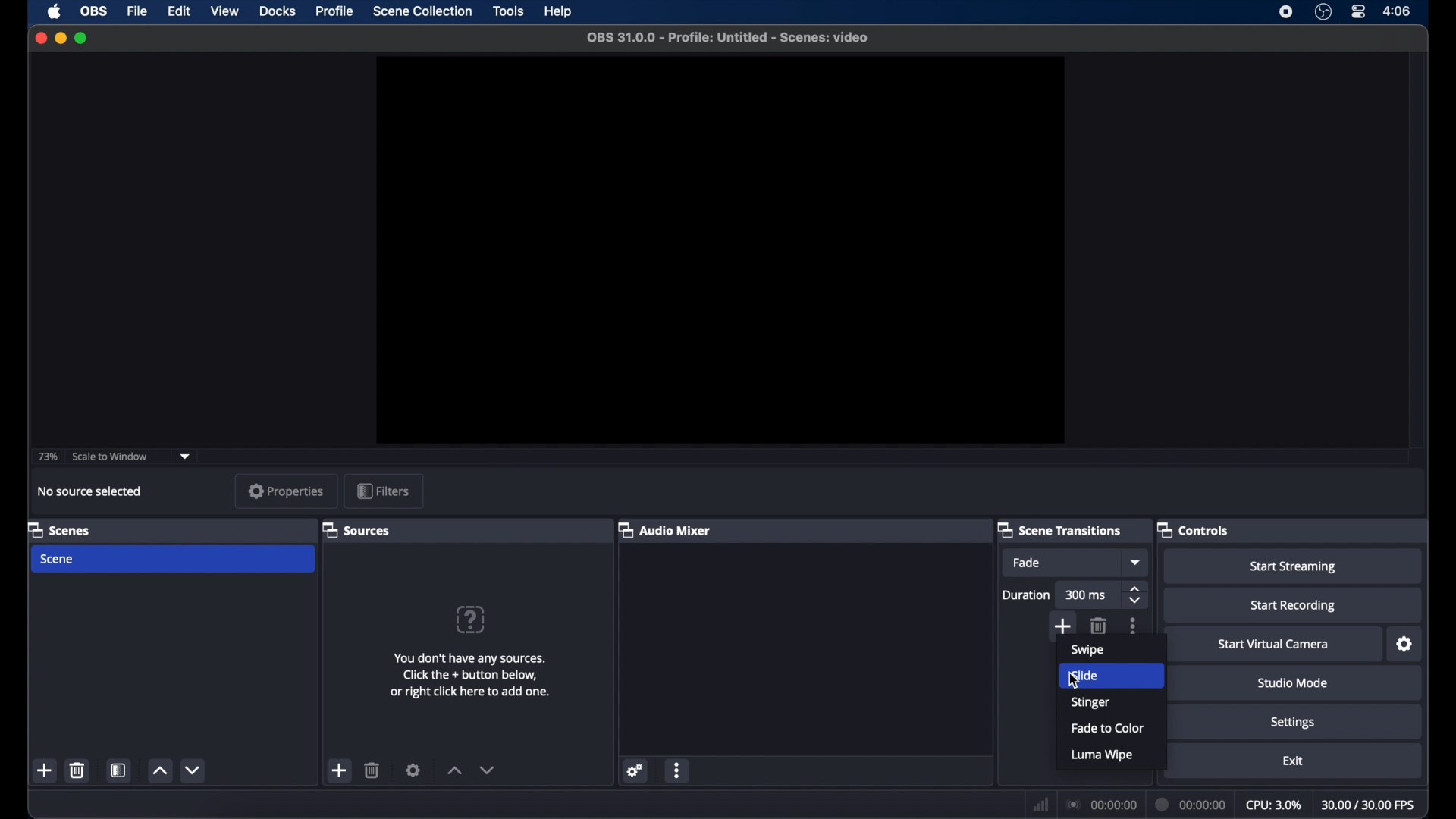  Describe the element at coordinates (285, 491) in the screenshot. I see `properties` at that location.